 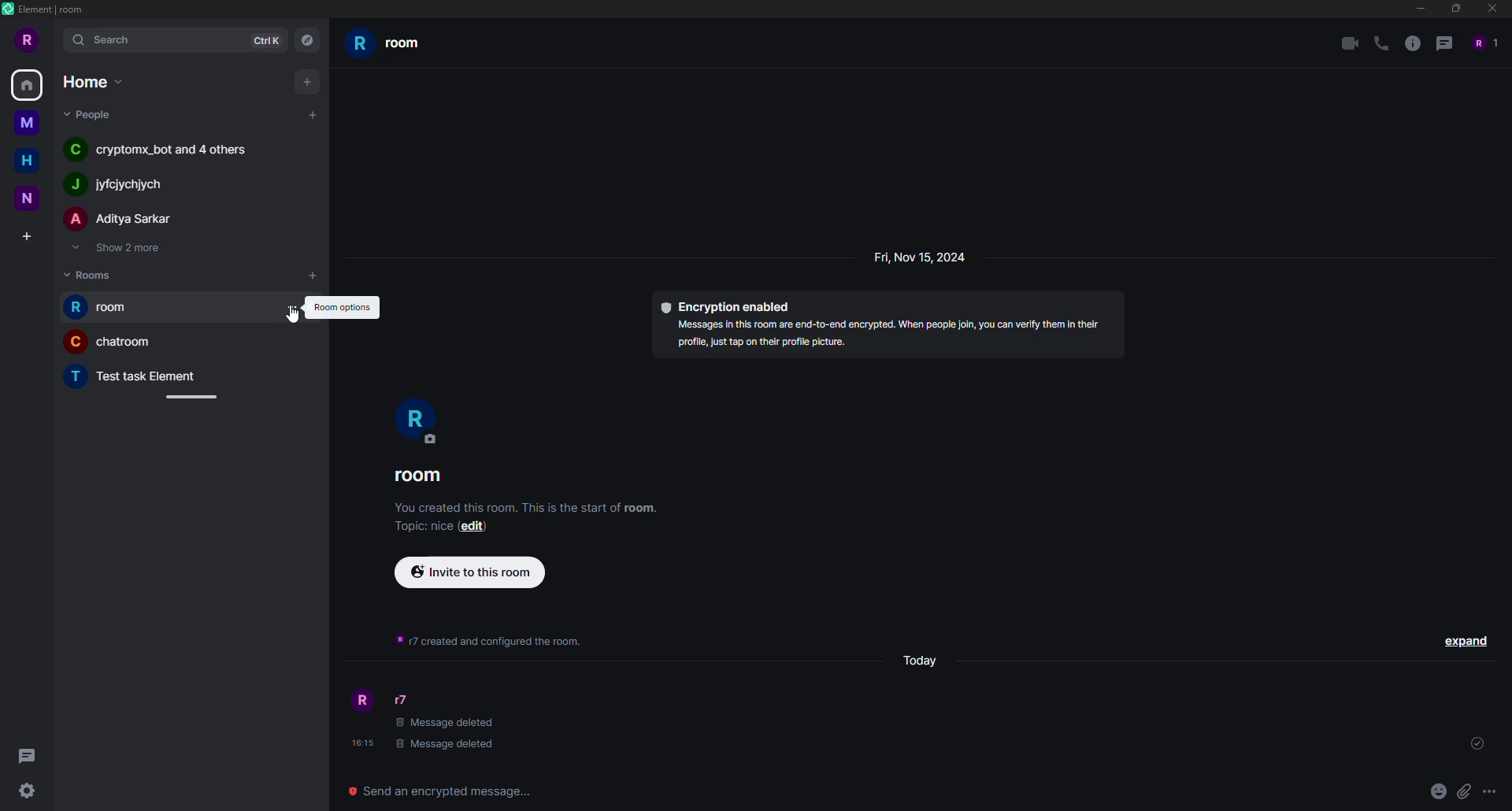 What do you see at coordinates (1415, 9) in the screenshot?
I see `minimize` at bounding box center [1415, 9].